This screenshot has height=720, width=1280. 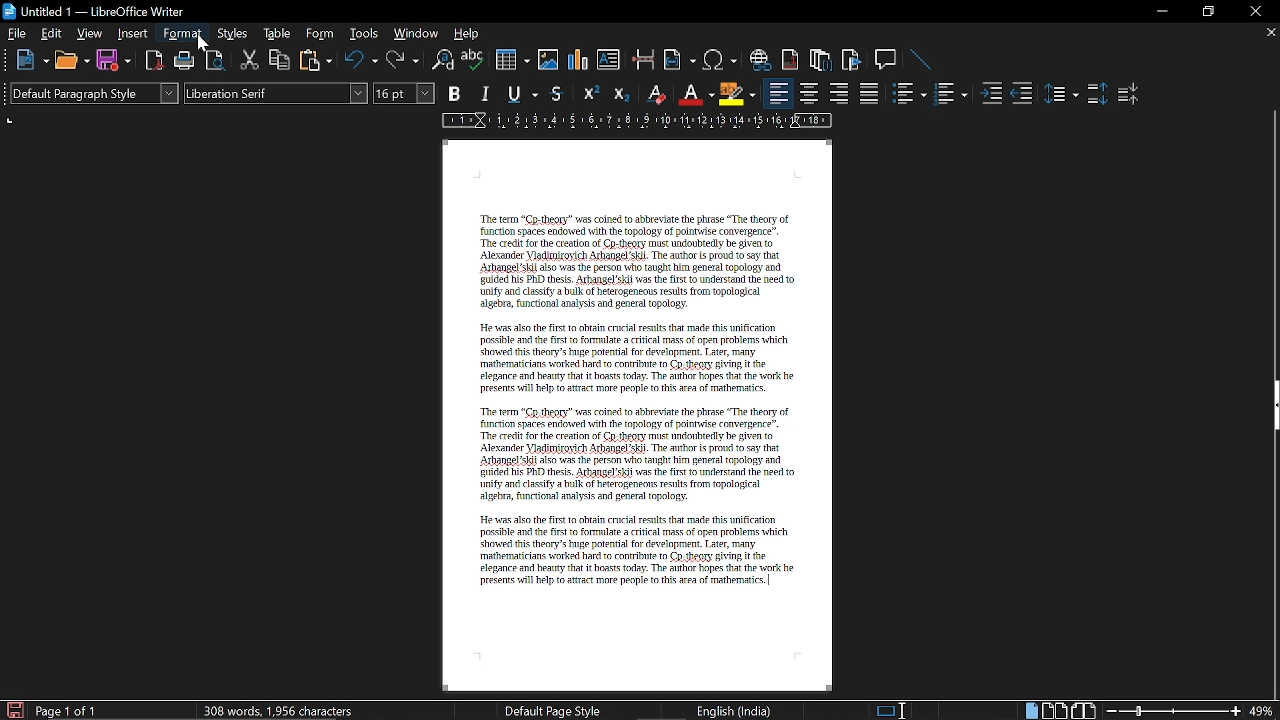 I want to click on Table, so click(x=281, y=33).